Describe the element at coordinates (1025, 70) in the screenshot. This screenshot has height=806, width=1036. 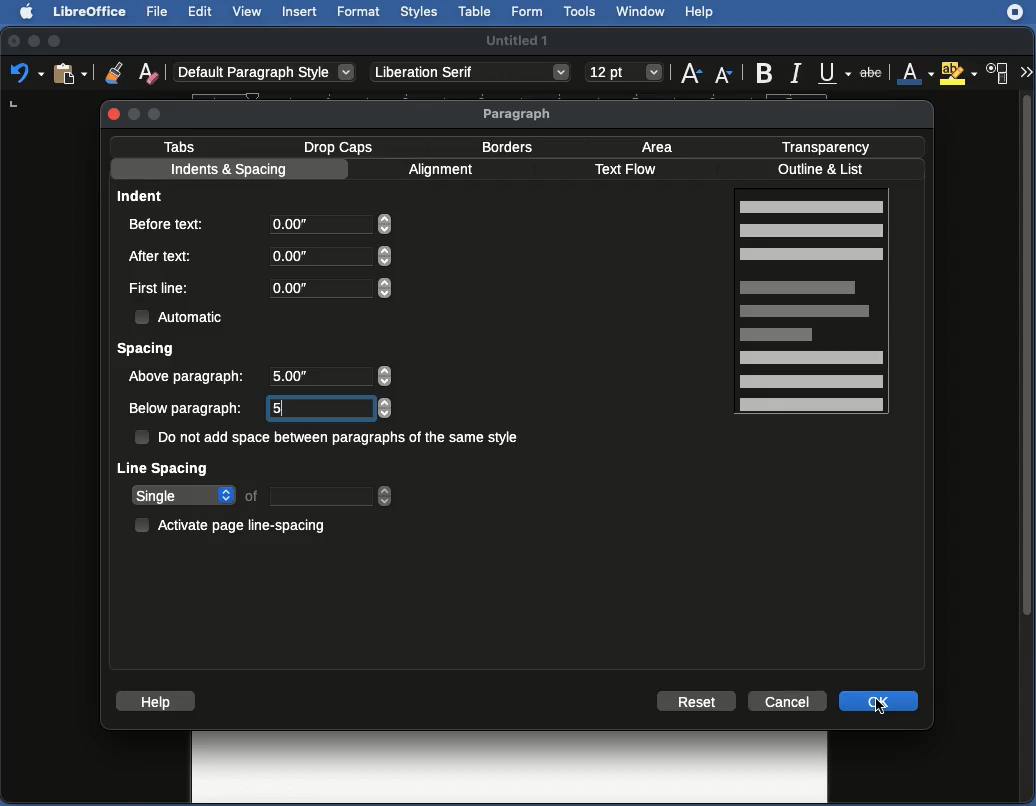
I see `More` at that location.